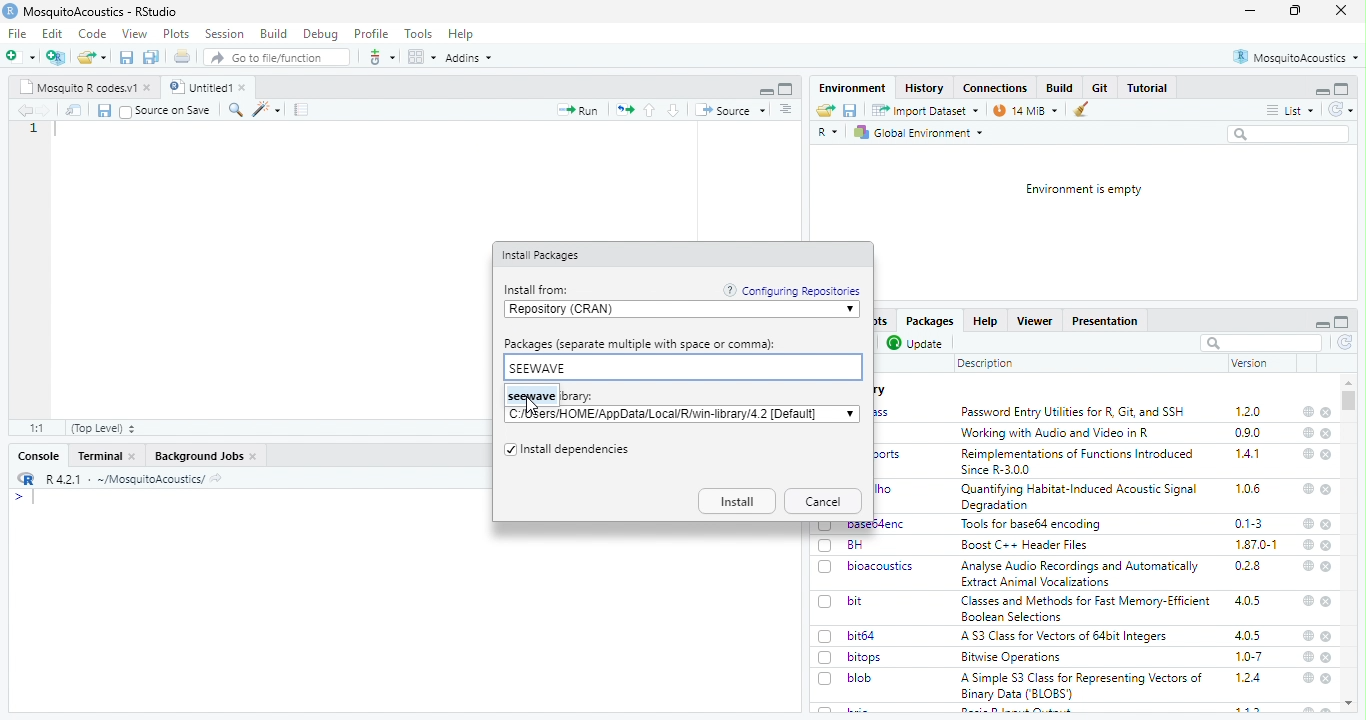  What do you see at coordinates (856, 601) in the screenshot?
I see `bit` at bounding box center [856, 601].